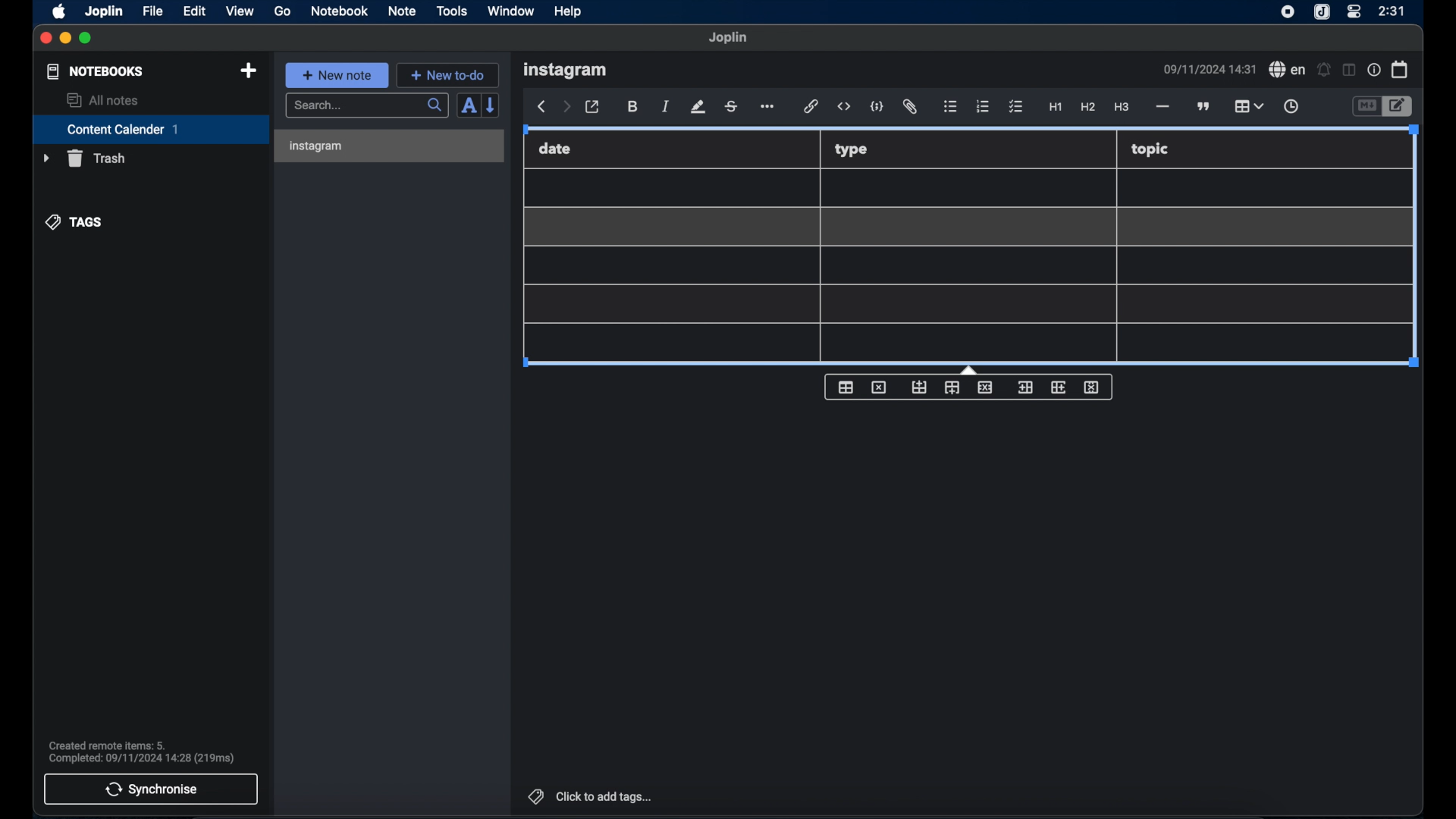 This screenshot has width=1456, height=819. Describe the element at coordinates (729, 38) in the screenshot. I see `Joplin` at that location.